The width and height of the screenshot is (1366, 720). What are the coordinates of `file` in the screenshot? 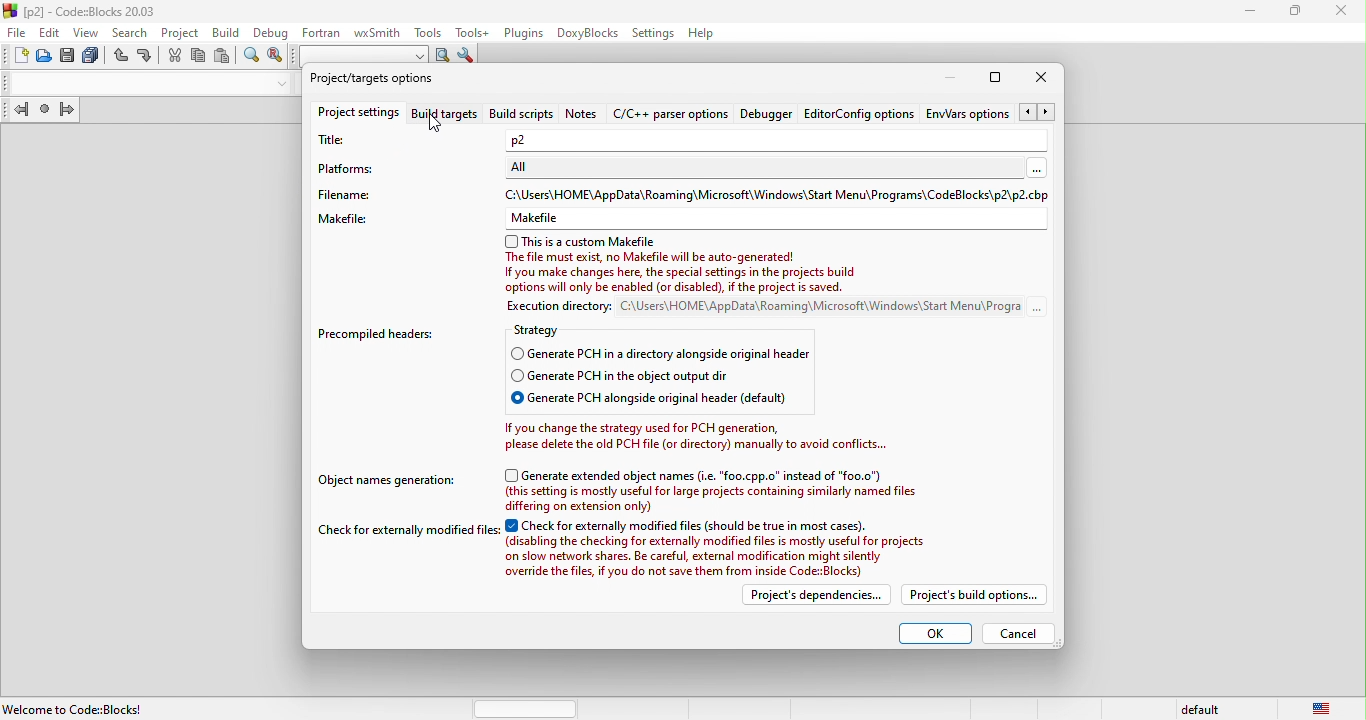 It's located at (15, 33).